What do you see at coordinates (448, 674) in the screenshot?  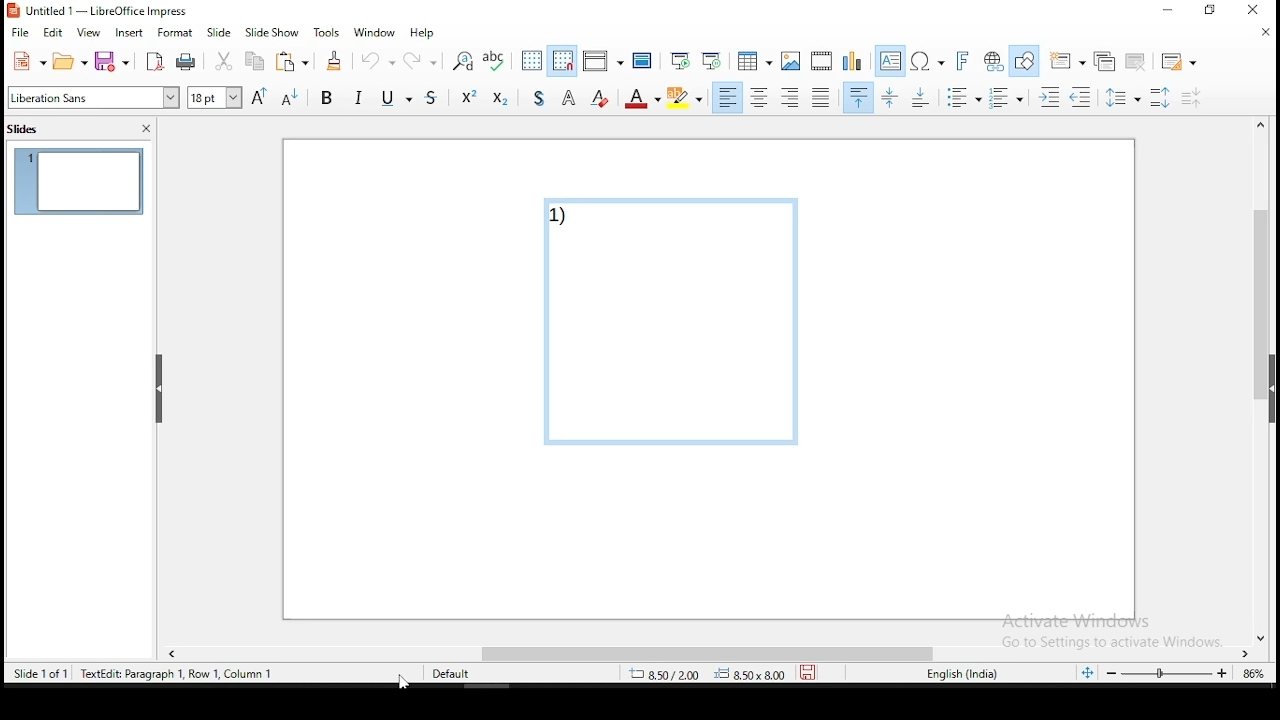 I see `default` at bounding box center [448, 674].